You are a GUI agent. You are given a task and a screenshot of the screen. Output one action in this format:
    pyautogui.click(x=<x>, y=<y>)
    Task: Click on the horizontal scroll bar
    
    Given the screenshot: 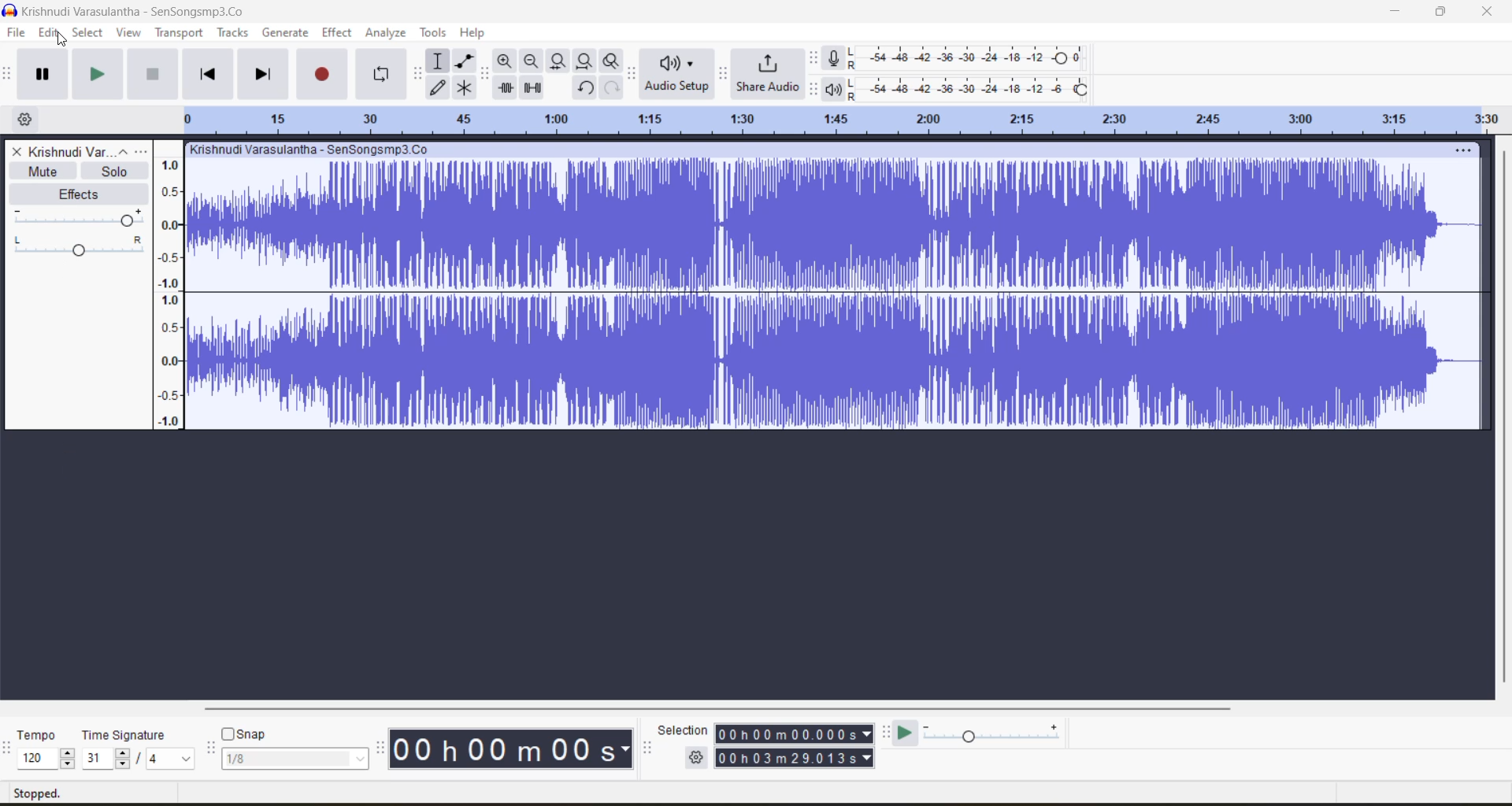 What is the action you would take?
    pyautogui.click(x=728, y=704)
    